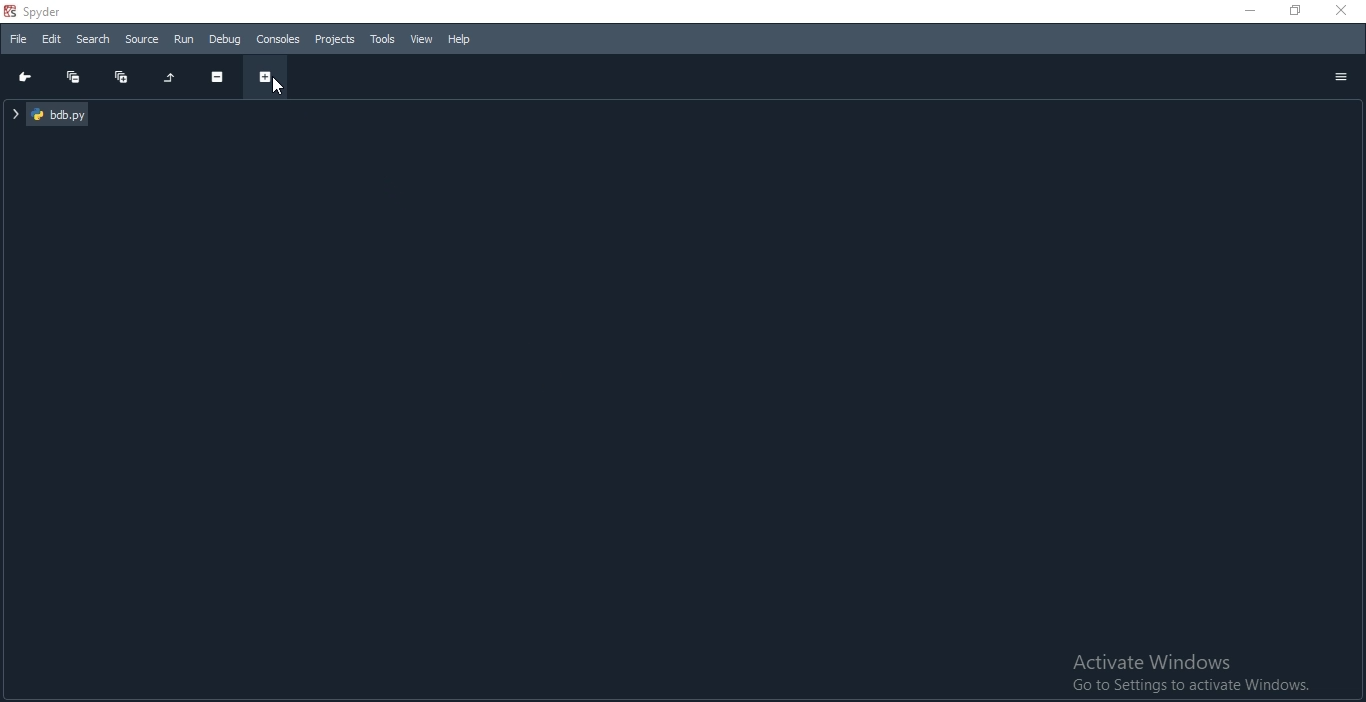 The height and width of the screenshot is (702, 1366). I want to click on Collapse section, so click(217, 79).